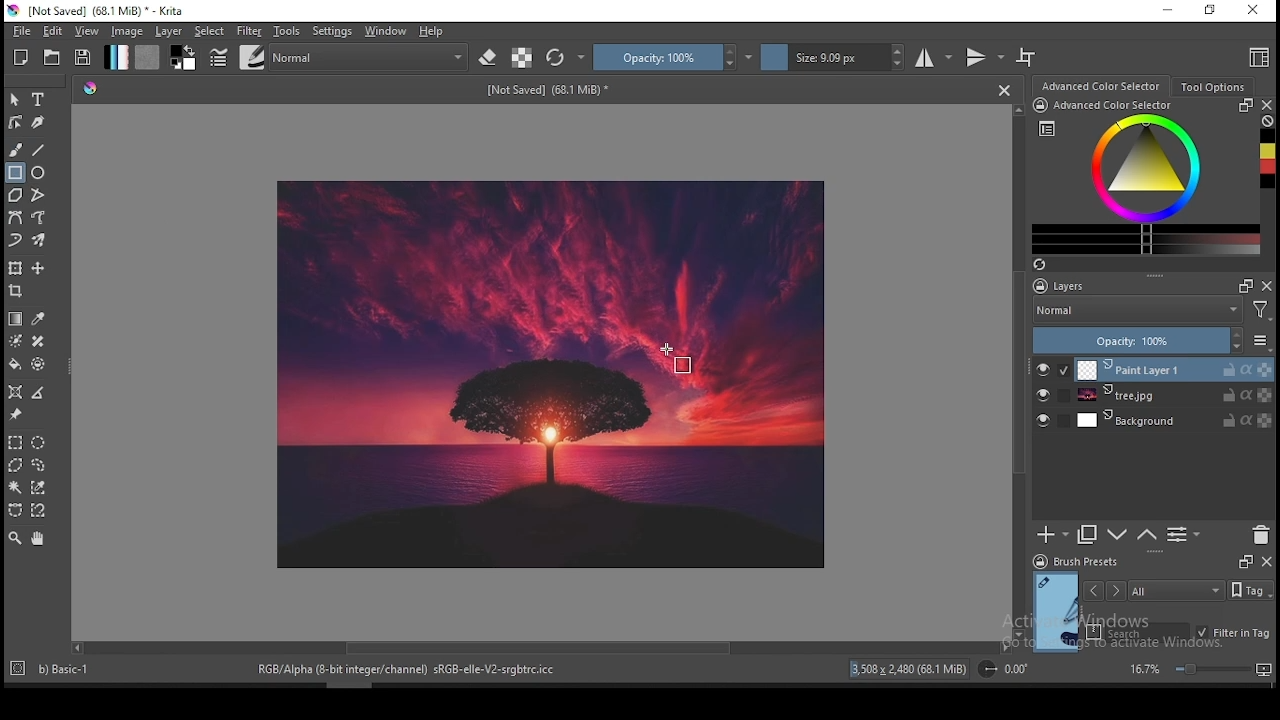  What do you see at coordinates (52, 31) in the screenshot?
I see `edit` at bounding box center [52, 31].